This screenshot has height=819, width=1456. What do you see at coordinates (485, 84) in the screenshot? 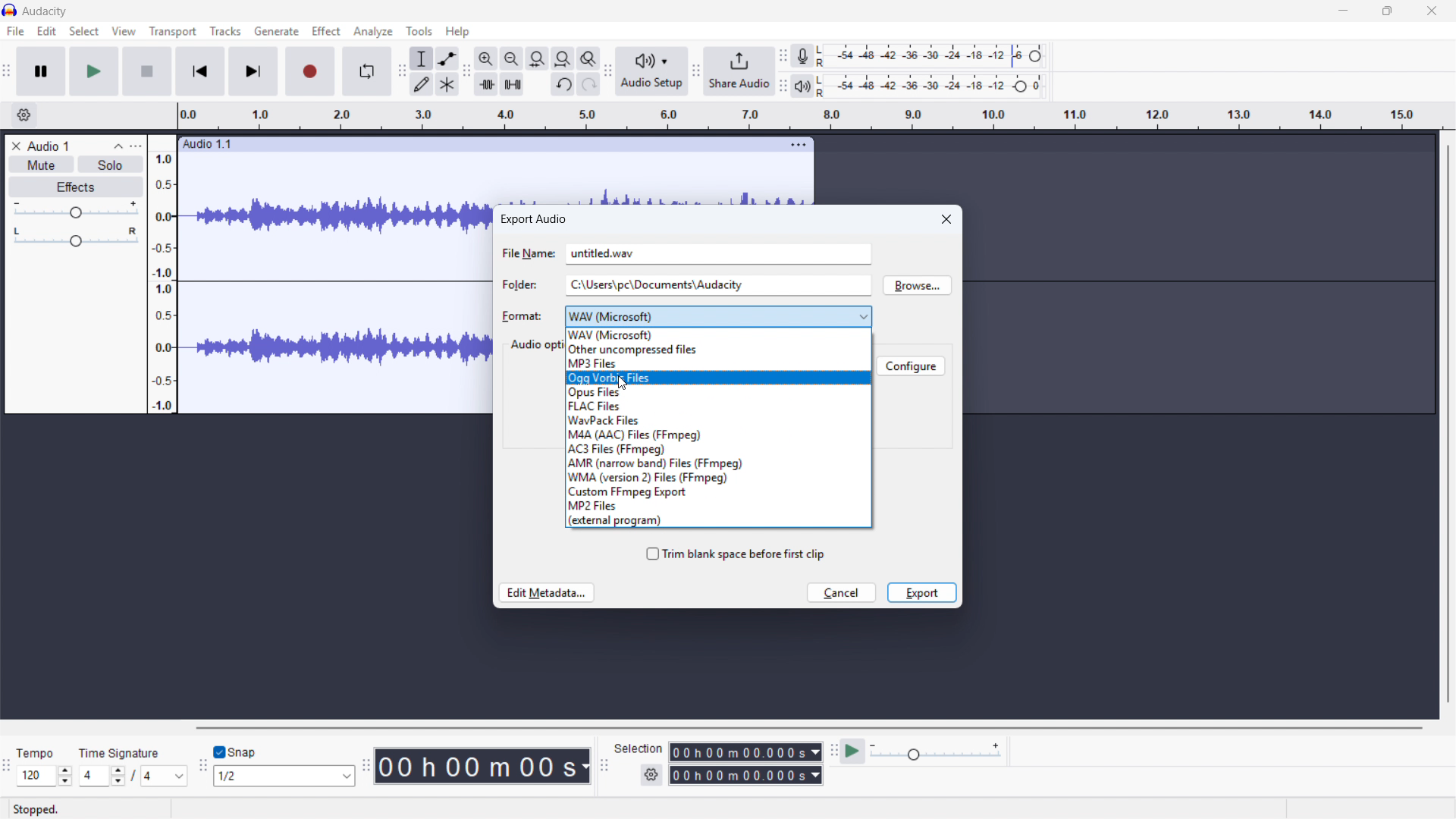
I see `Trim audio outside selection ` at bounding box center [485, 84].